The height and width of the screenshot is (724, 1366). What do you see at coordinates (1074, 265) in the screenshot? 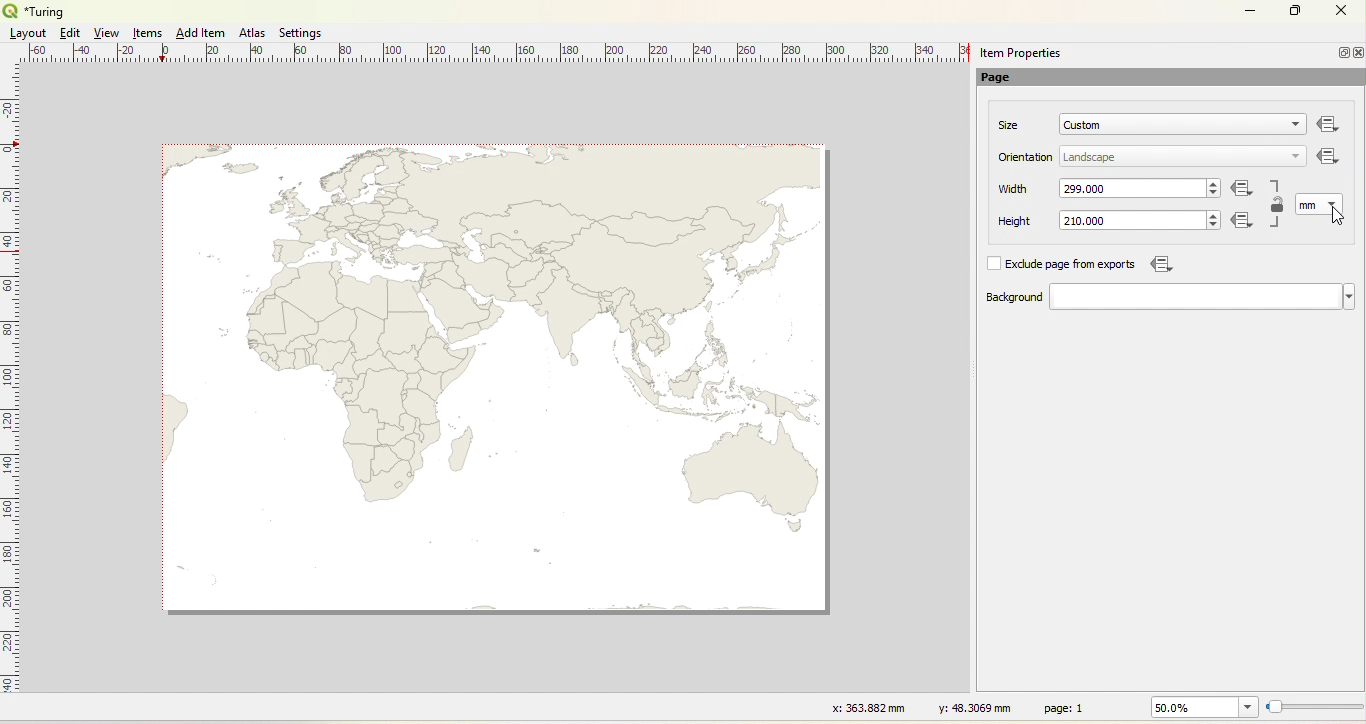
I see `Exclude page from exports` at bounding box center [1074, 265].